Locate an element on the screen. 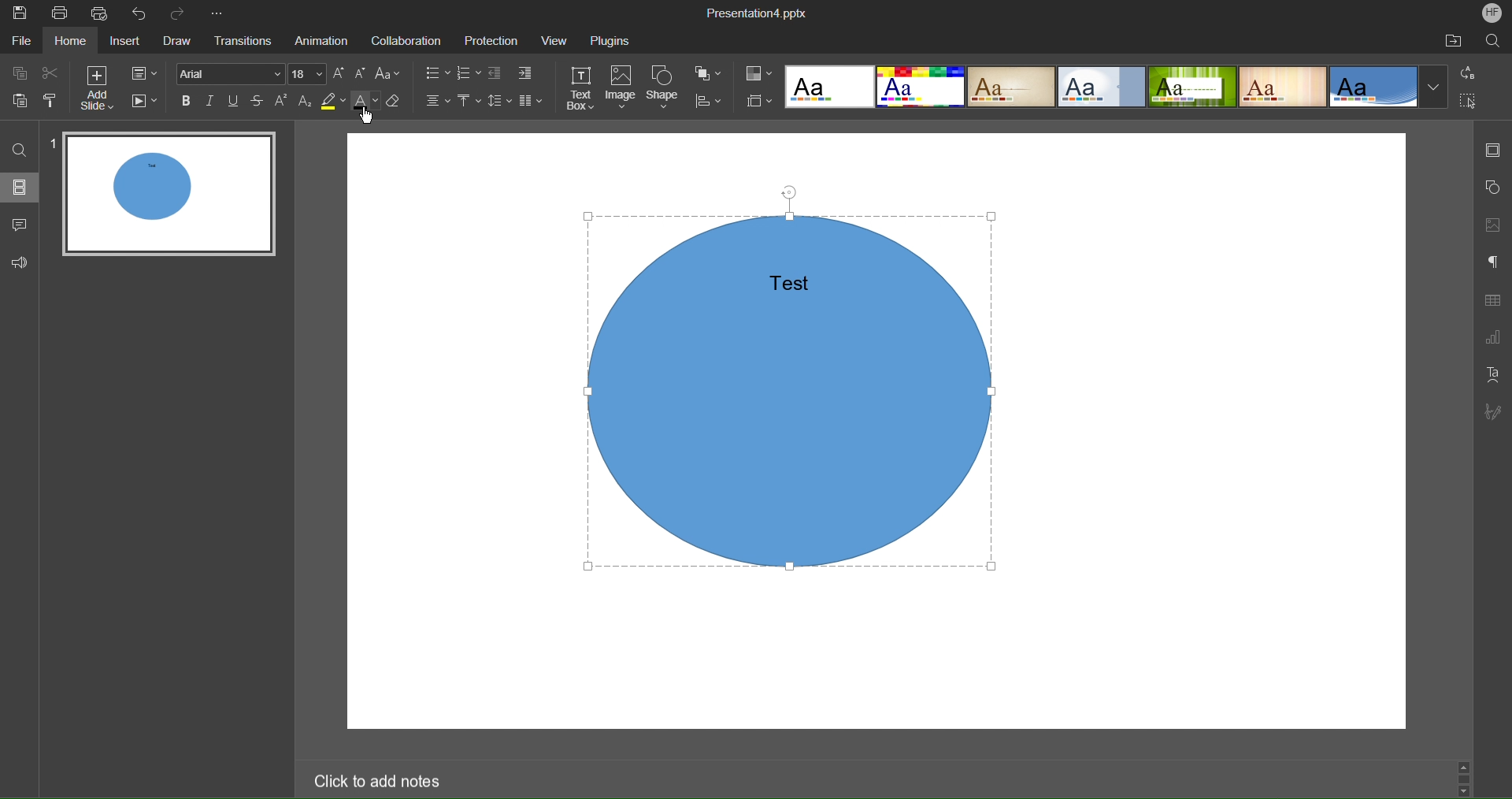  Alignment is located at coordinates (440, 101).